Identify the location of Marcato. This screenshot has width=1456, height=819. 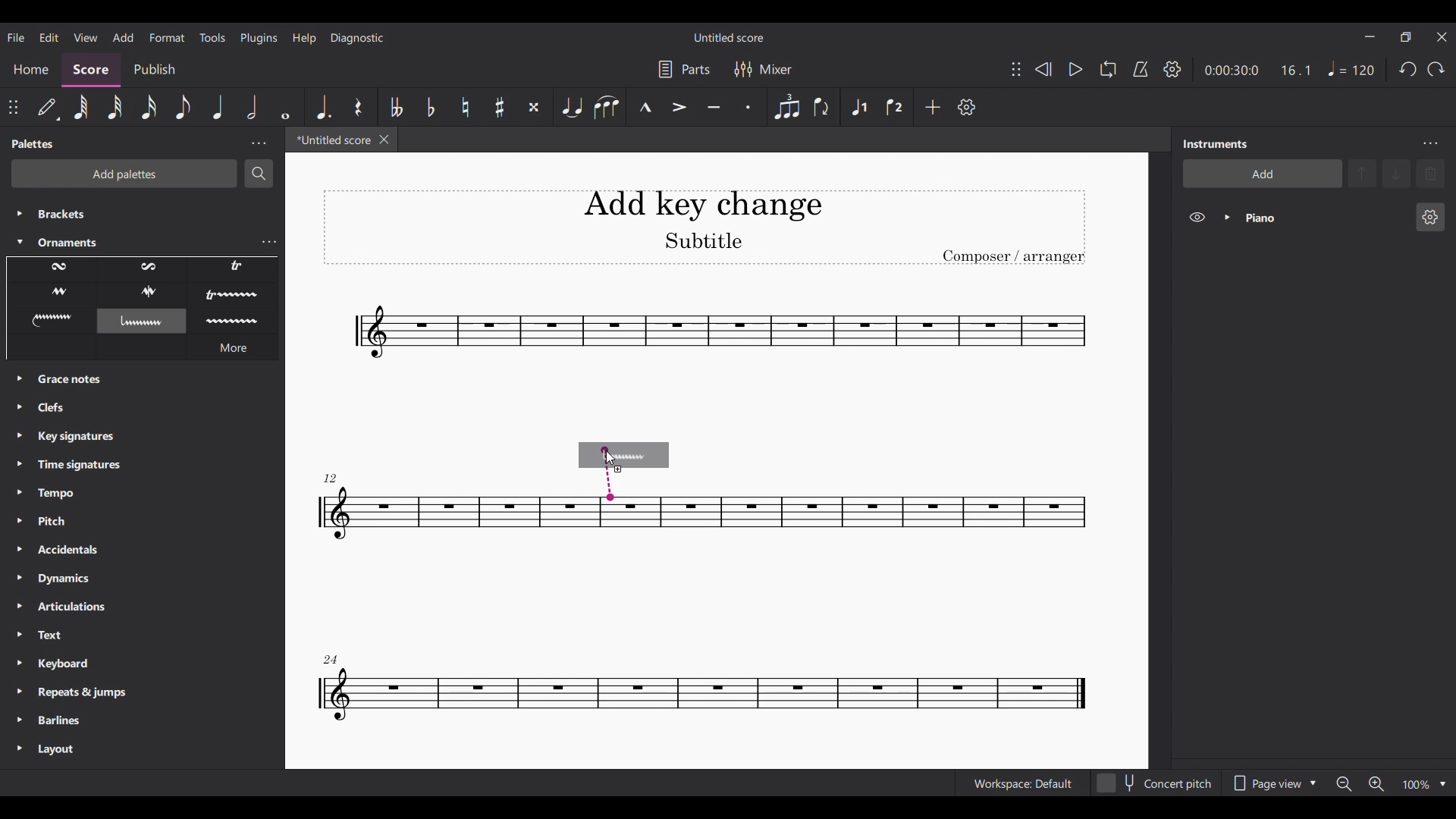
(645, 107).